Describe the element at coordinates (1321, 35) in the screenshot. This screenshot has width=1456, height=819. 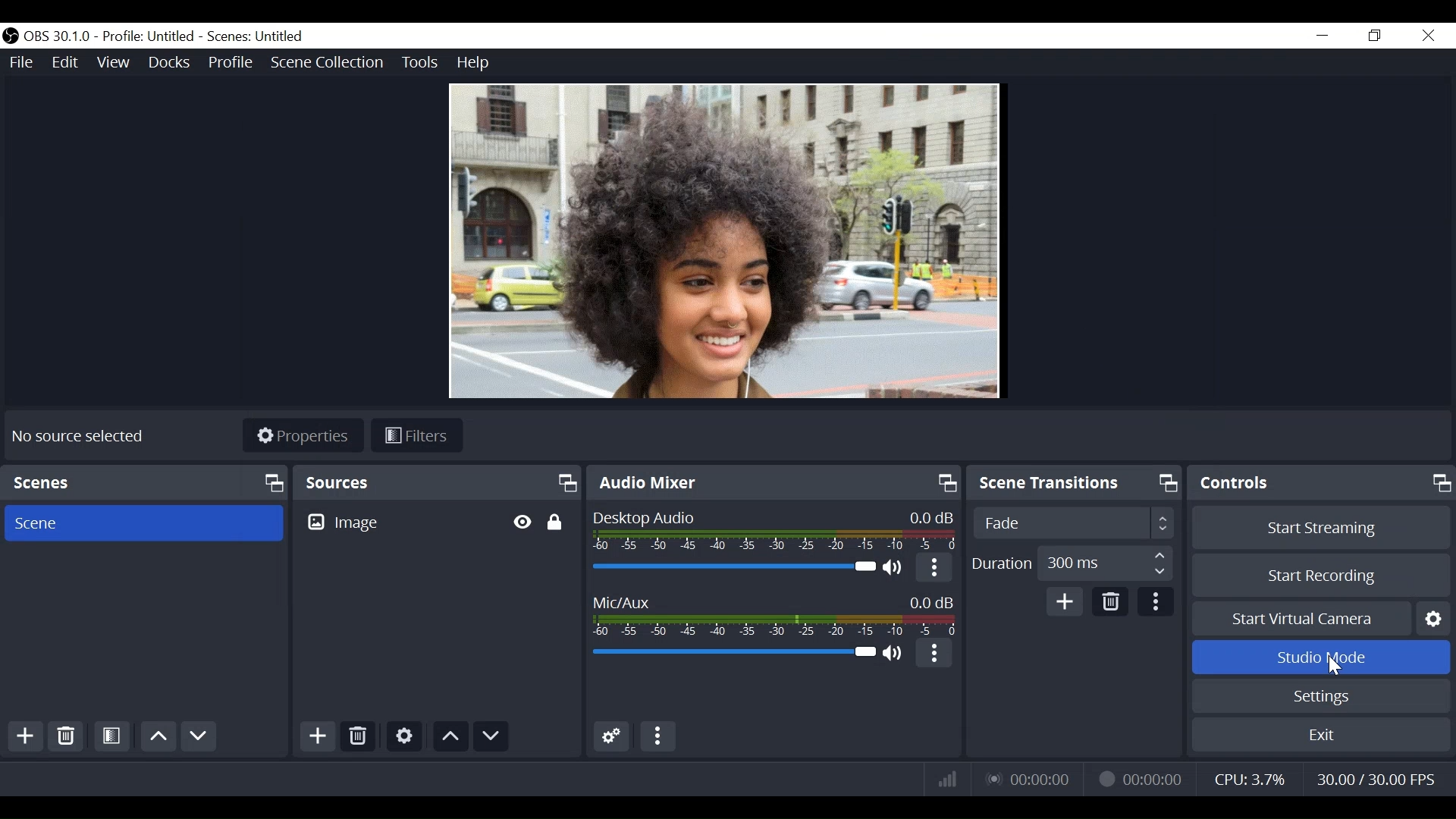
I see `minimize` at that location.